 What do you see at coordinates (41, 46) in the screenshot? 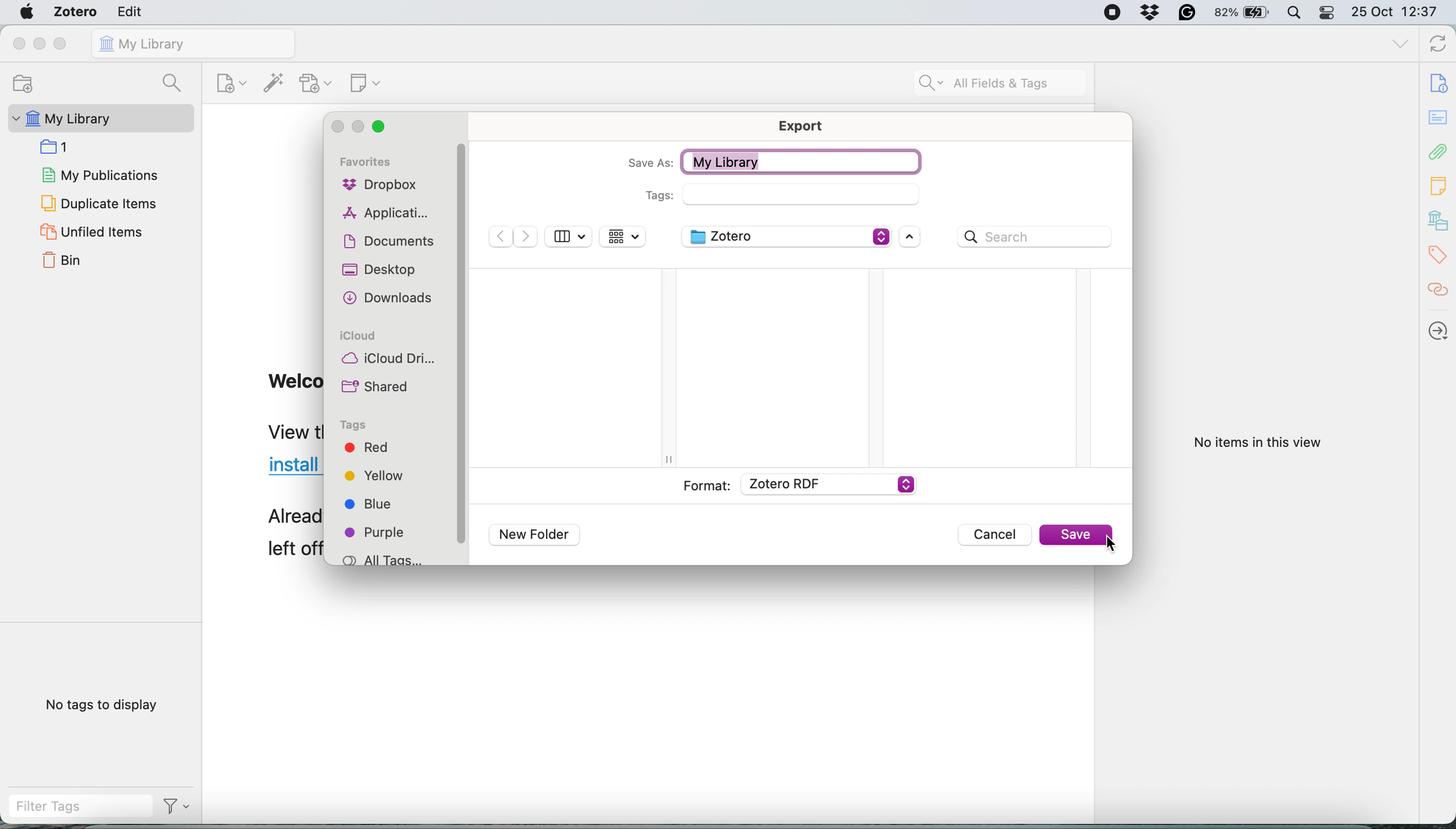
I see `minimize` at bounding box center [41, 46].